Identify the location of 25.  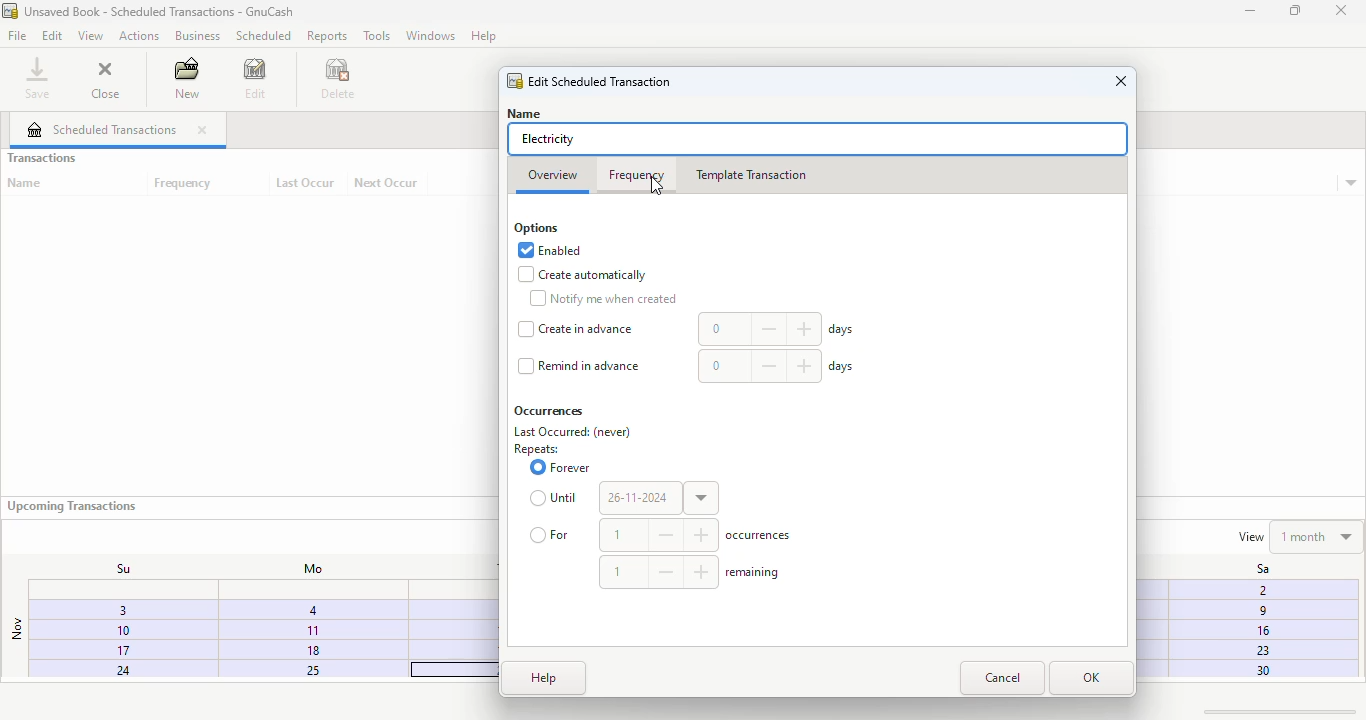
(302, 670).